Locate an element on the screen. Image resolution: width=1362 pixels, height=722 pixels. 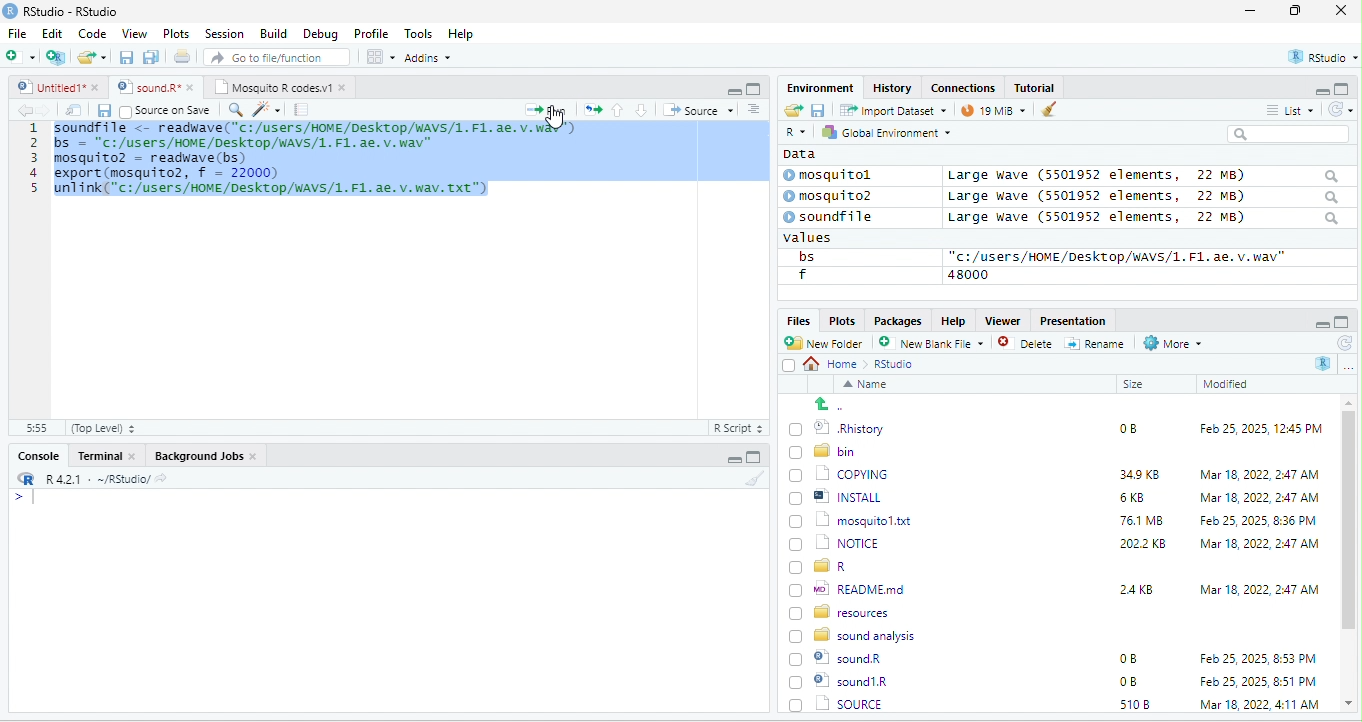
Large wave (5501952 elements, 22 MB) is located at coordinates (1142, 175).